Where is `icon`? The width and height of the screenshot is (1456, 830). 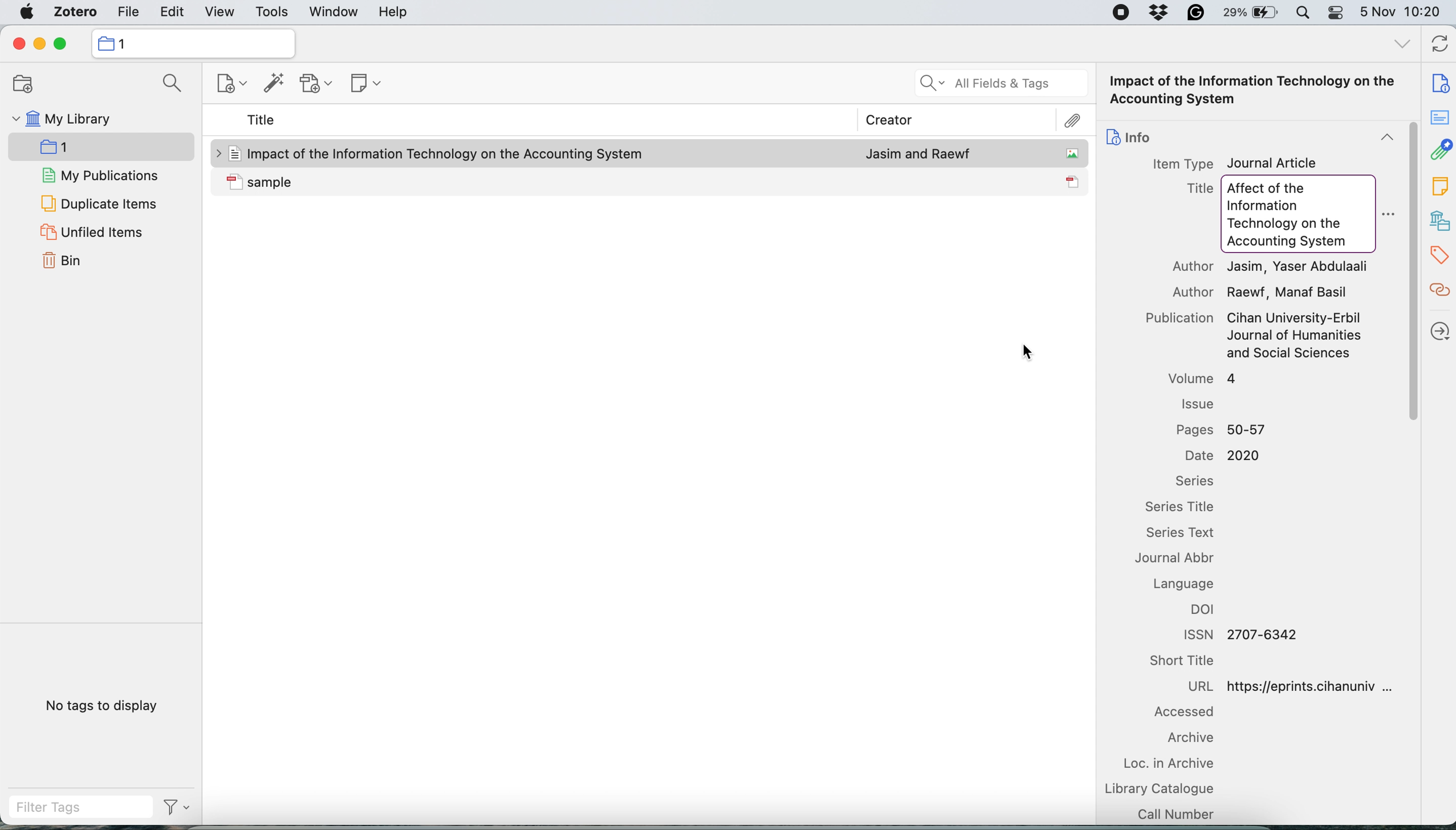
icon is located at coordinates (105, 43).